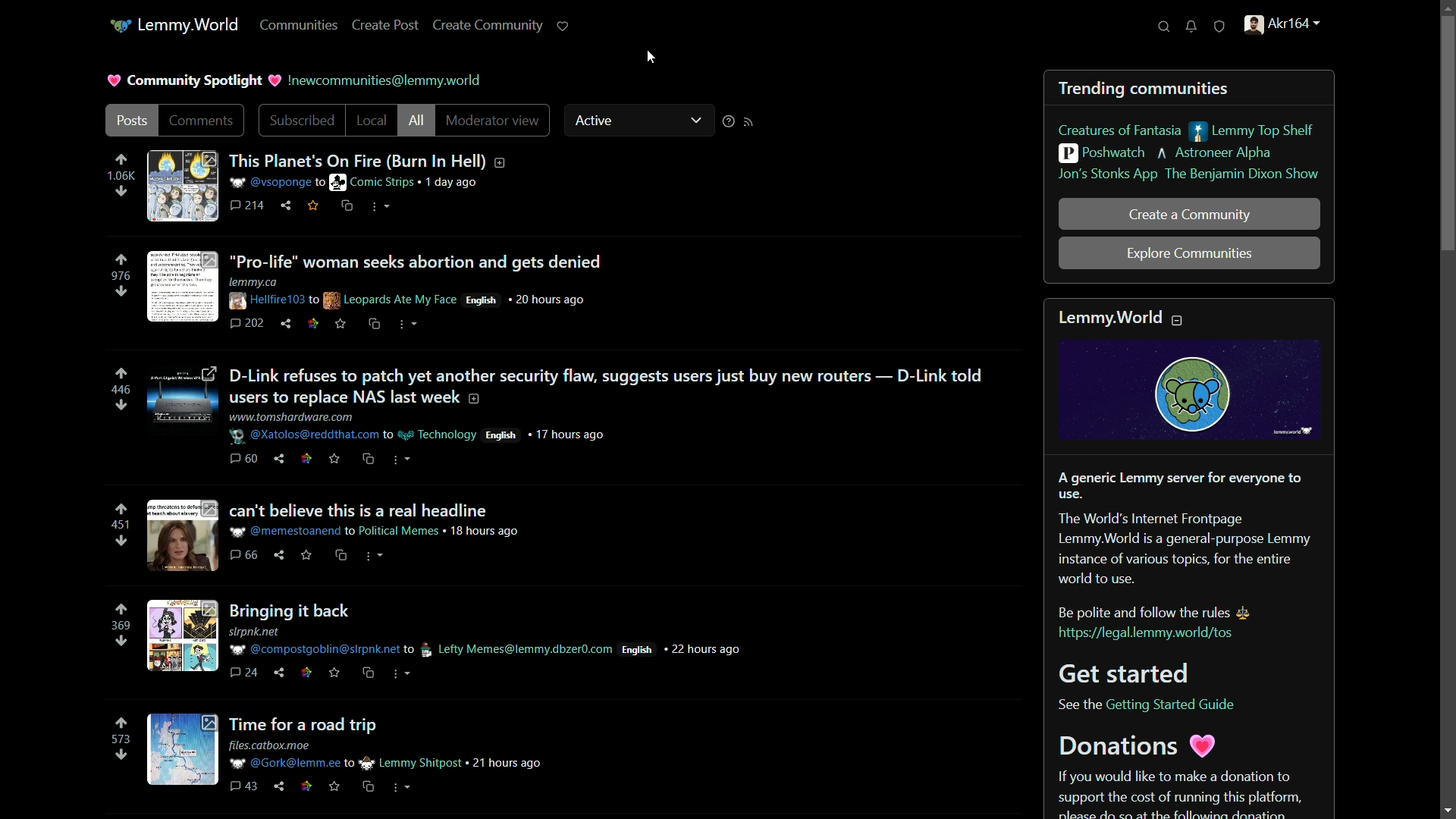 This screenshot has width=1456, height=819. What do you see at coordinates (1188, 215) in the screenshot?
I see `create a community` at bounding box center [1188, 215].